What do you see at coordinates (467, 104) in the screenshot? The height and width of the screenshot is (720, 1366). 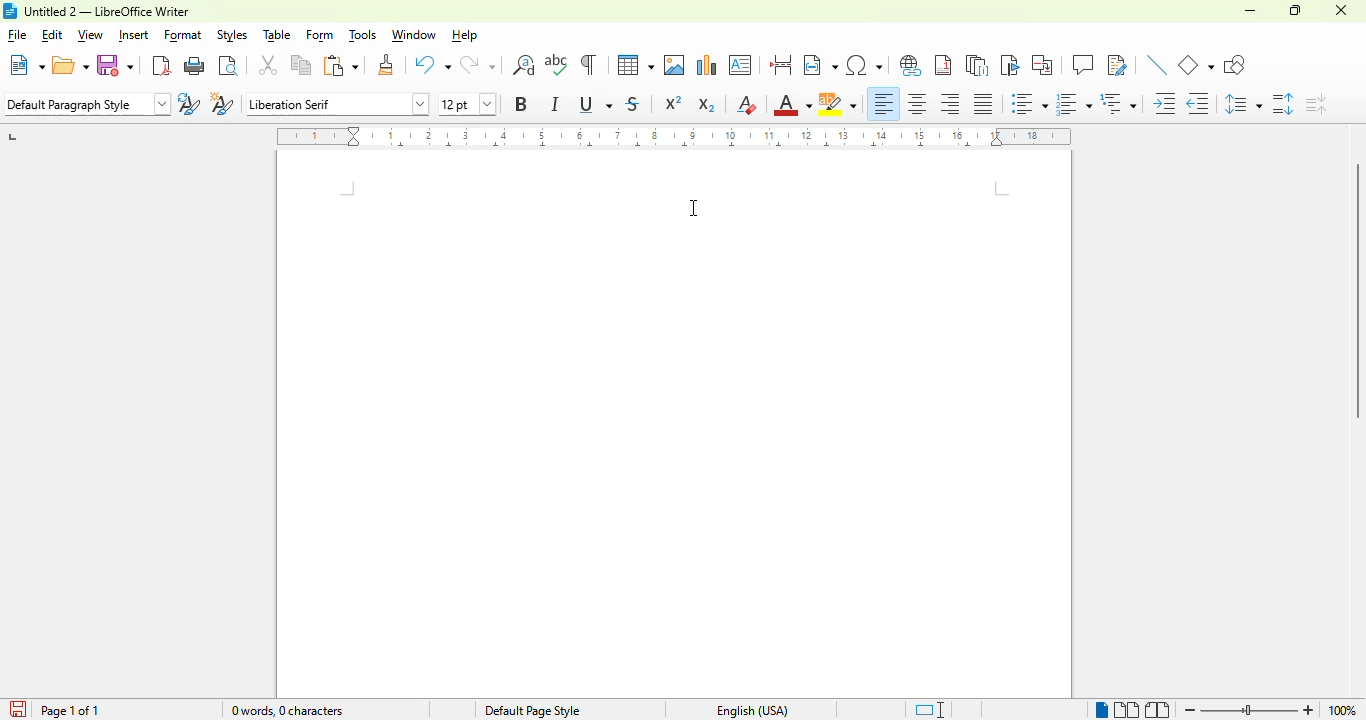 I see `font size` at bounding box center [467, 104].